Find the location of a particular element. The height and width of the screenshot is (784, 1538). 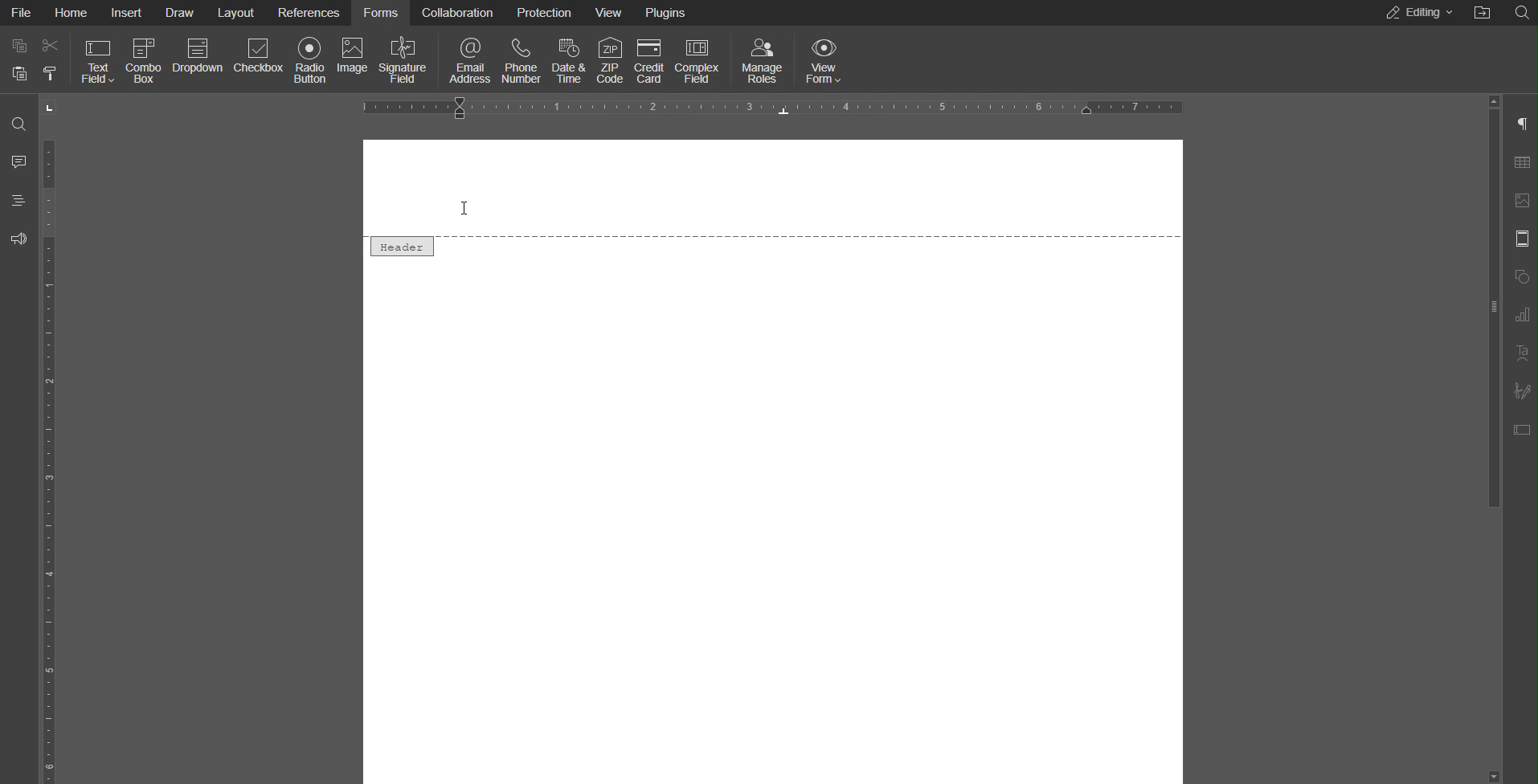

Table Settings is located at coordinates (1519, 162).